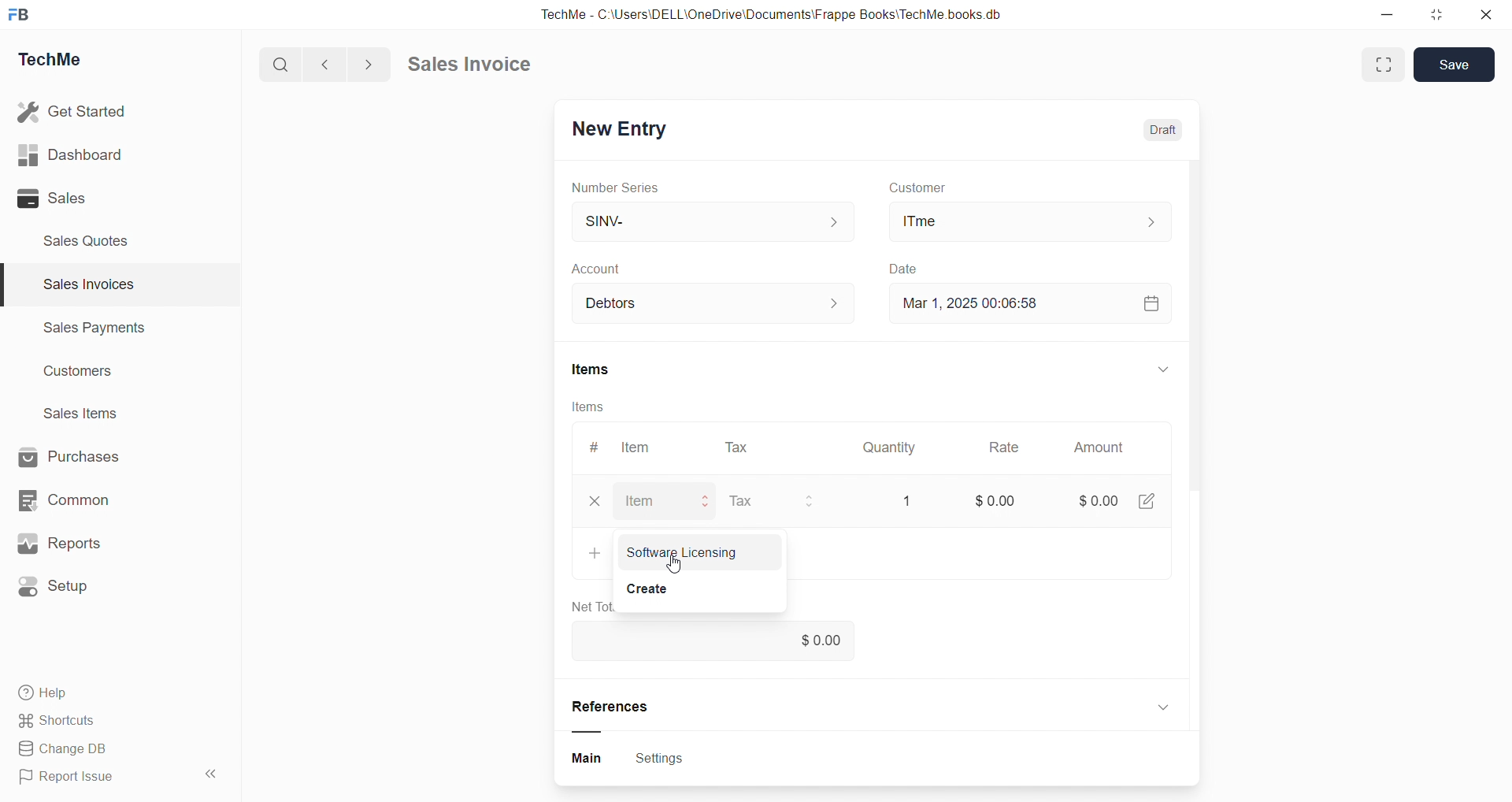  What do you see at coordinates (82, 287) in the screenshot?
I see `Sales Invoices` at bounding box center [82, 287].